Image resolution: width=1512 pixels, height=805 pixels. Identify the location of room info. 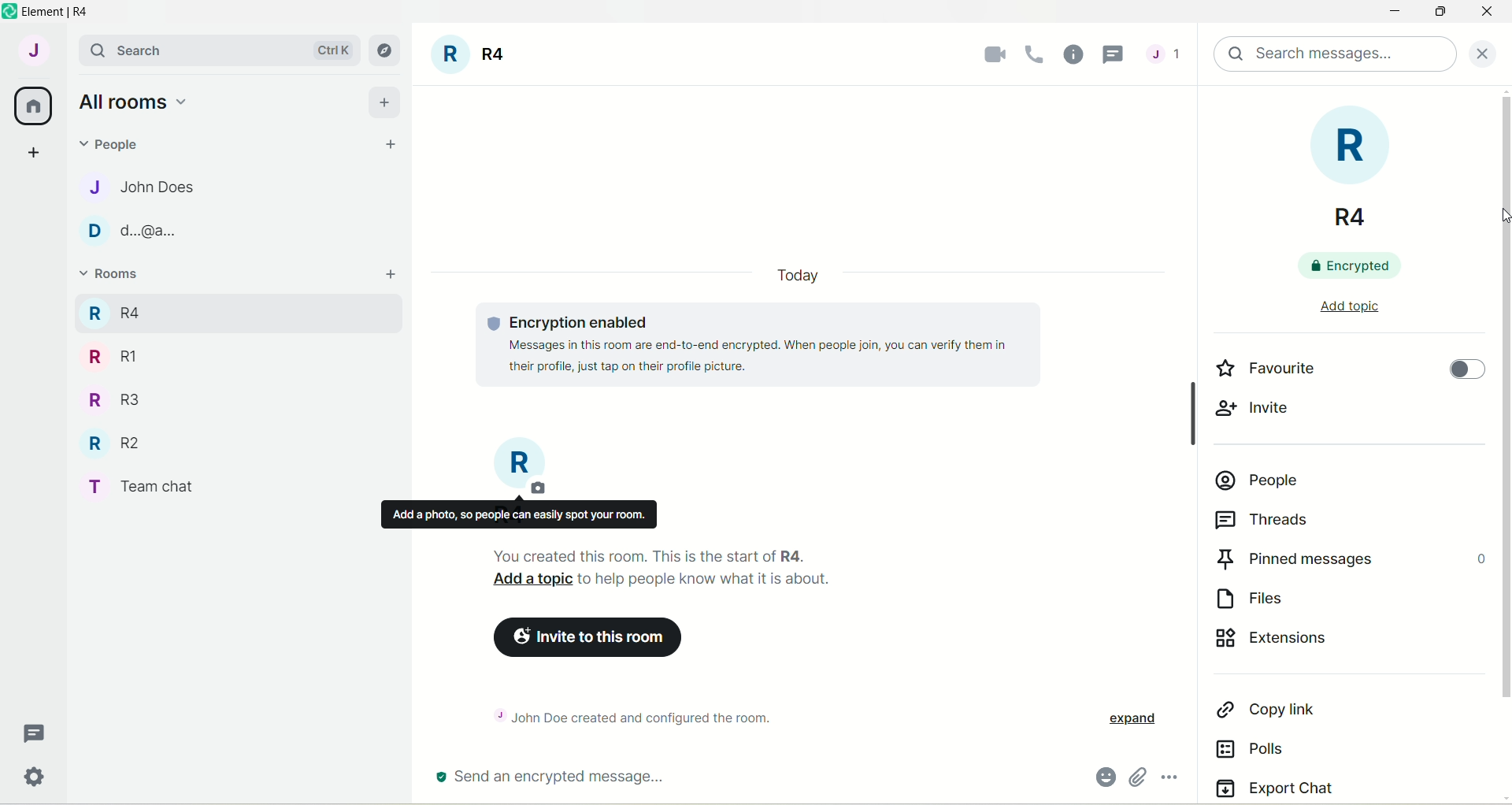
(1075, 53).